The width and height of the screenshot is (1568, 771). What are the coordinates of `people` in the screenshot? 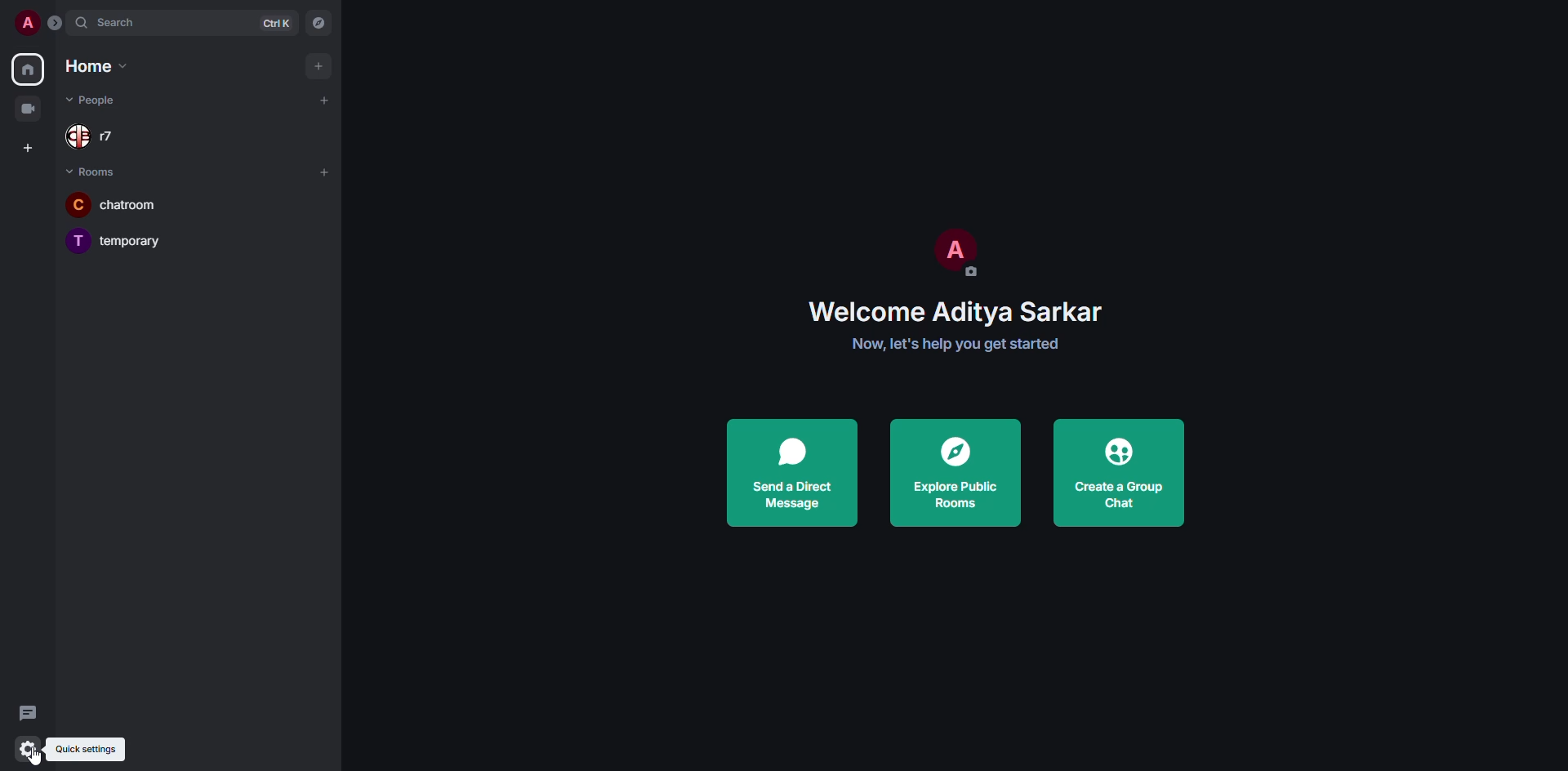 It's located at (104, 138).